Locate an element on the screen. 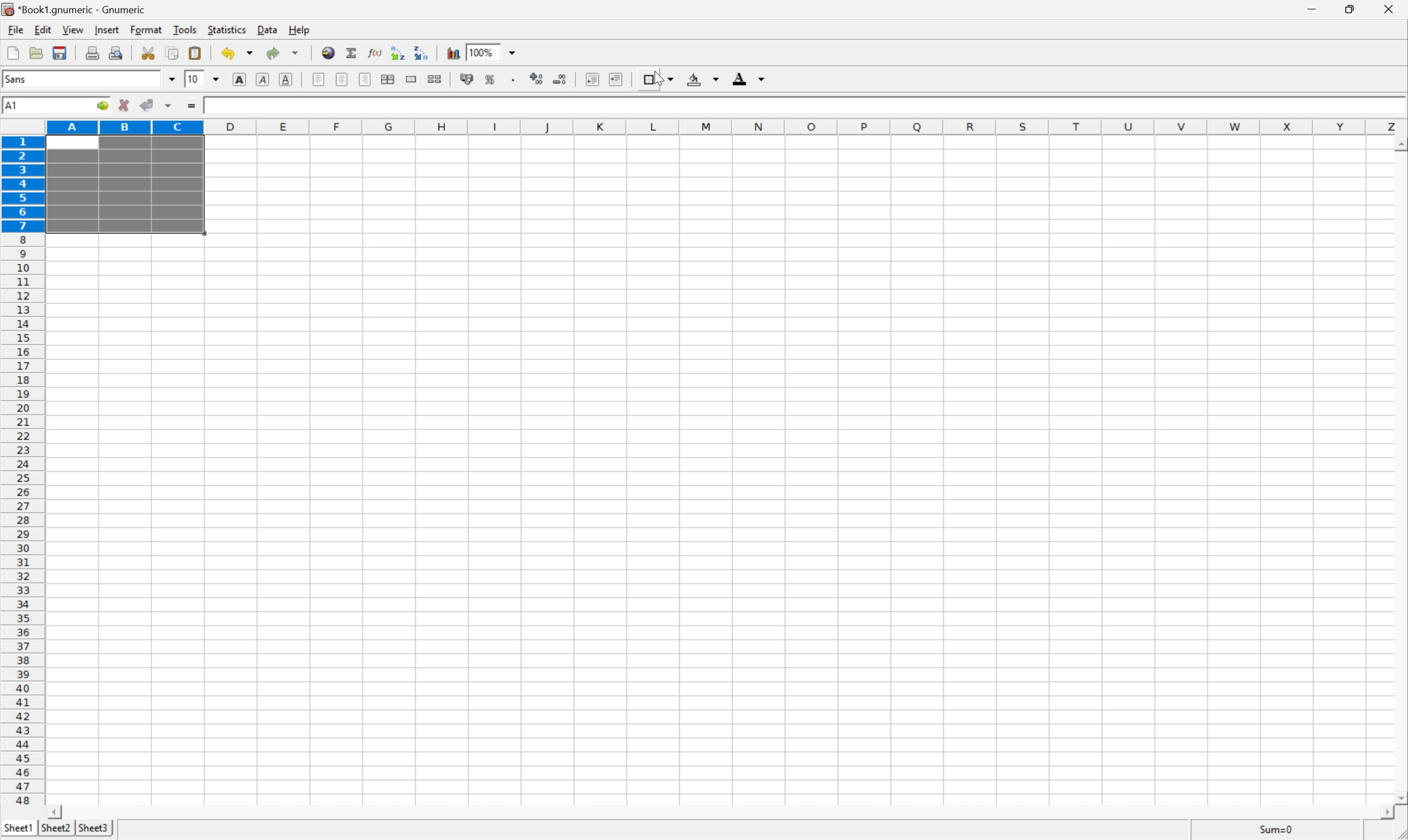 The image size is (1408, 840). center horizontally is located at coordinates (390, 79).